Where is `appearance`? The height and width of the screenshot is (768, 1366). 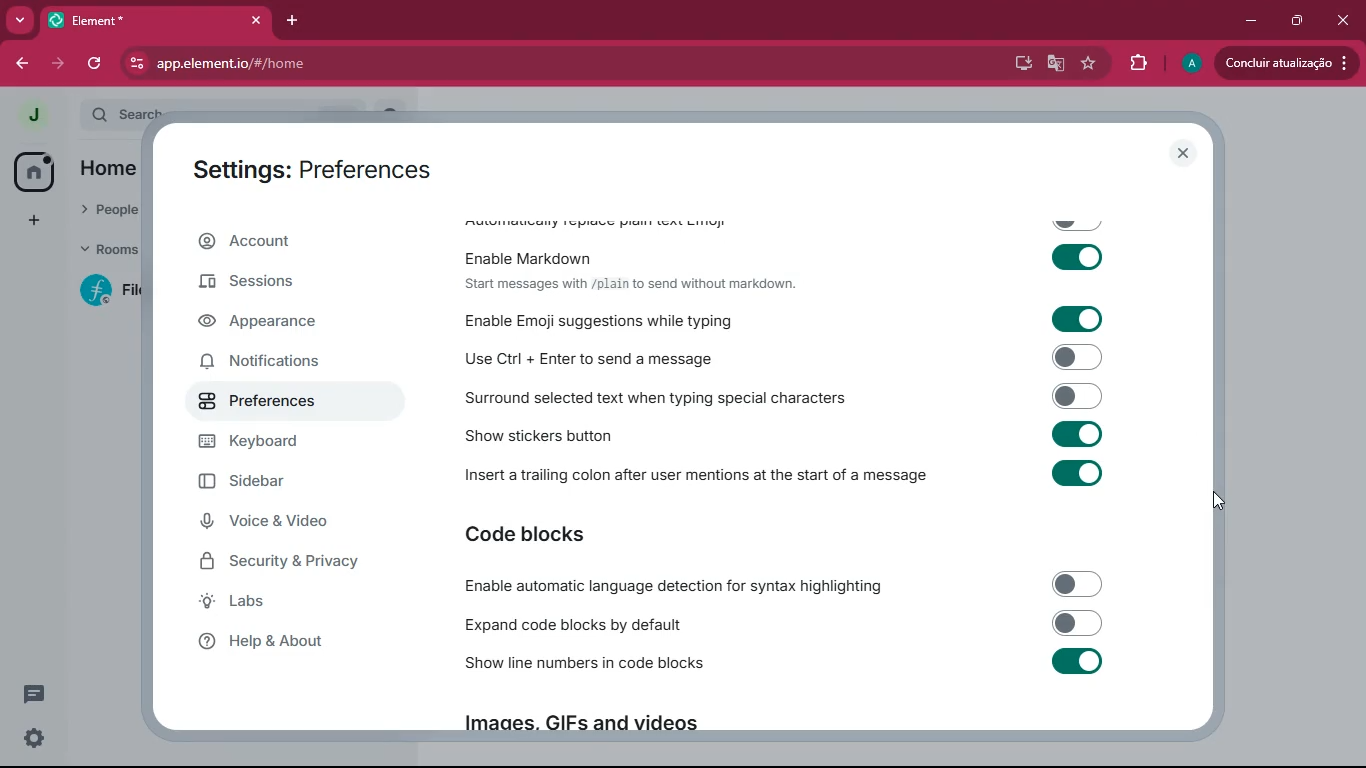
appearance is located at coordinates (279, 324).